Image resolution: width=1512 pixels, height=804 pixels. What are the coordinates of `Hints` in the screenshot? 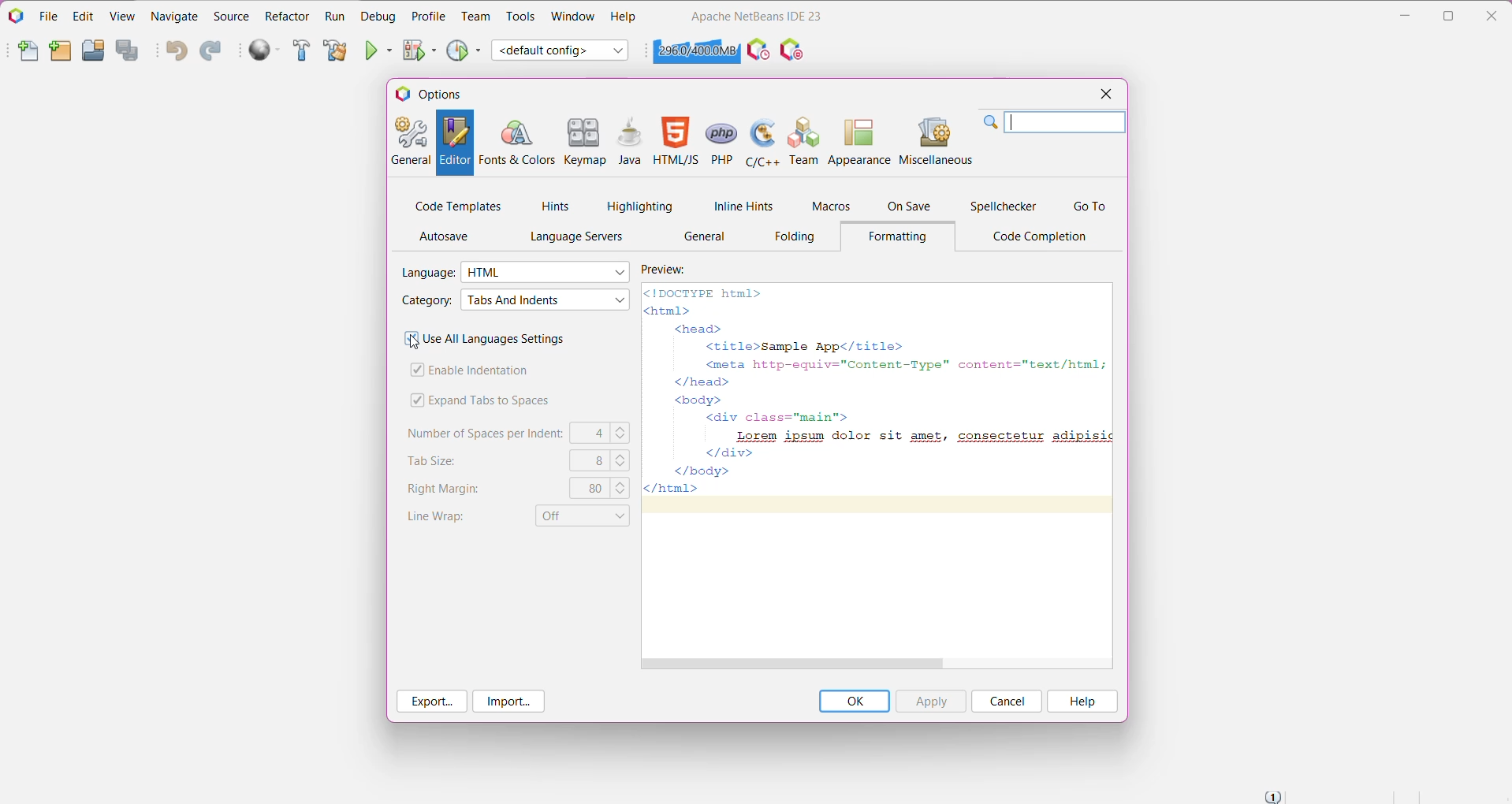 It's located at (556, 207).